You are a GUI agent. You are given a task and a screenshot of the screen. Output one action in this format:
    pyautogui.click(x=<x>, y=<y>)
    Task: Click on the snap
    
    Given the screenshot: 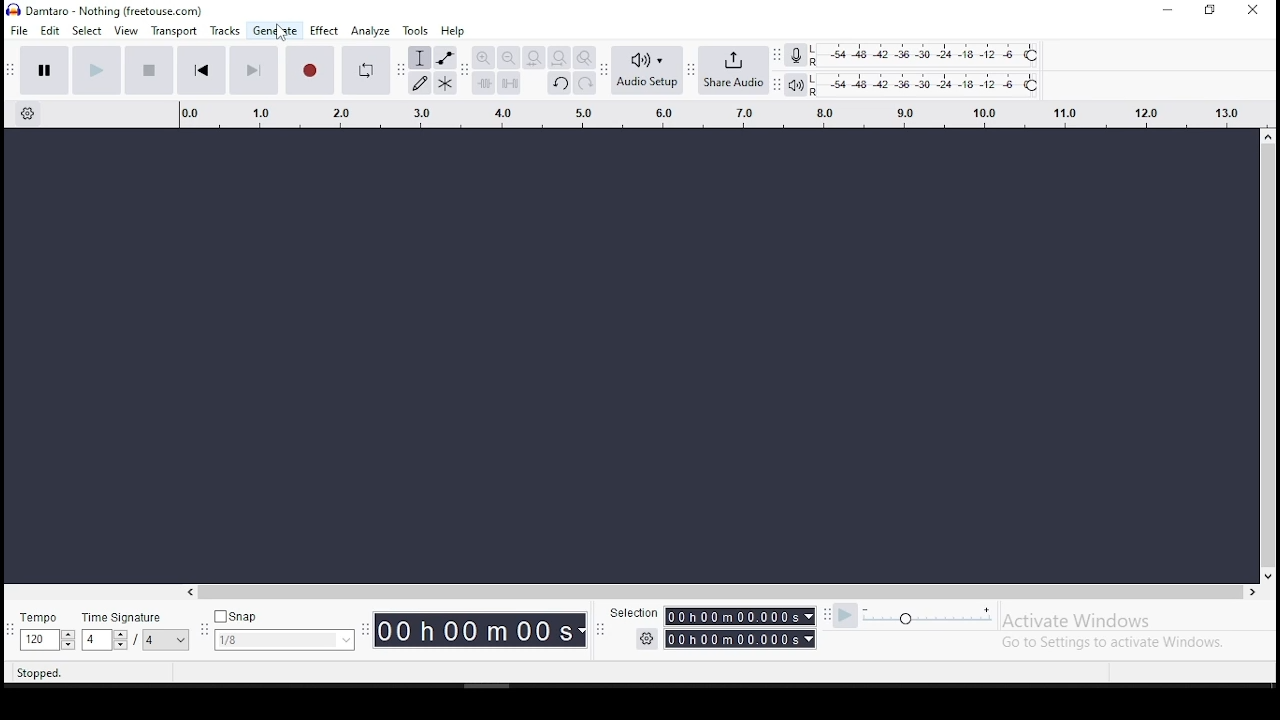 What is the action you would take?
    pyautogui.click(x=284, y=629)
    